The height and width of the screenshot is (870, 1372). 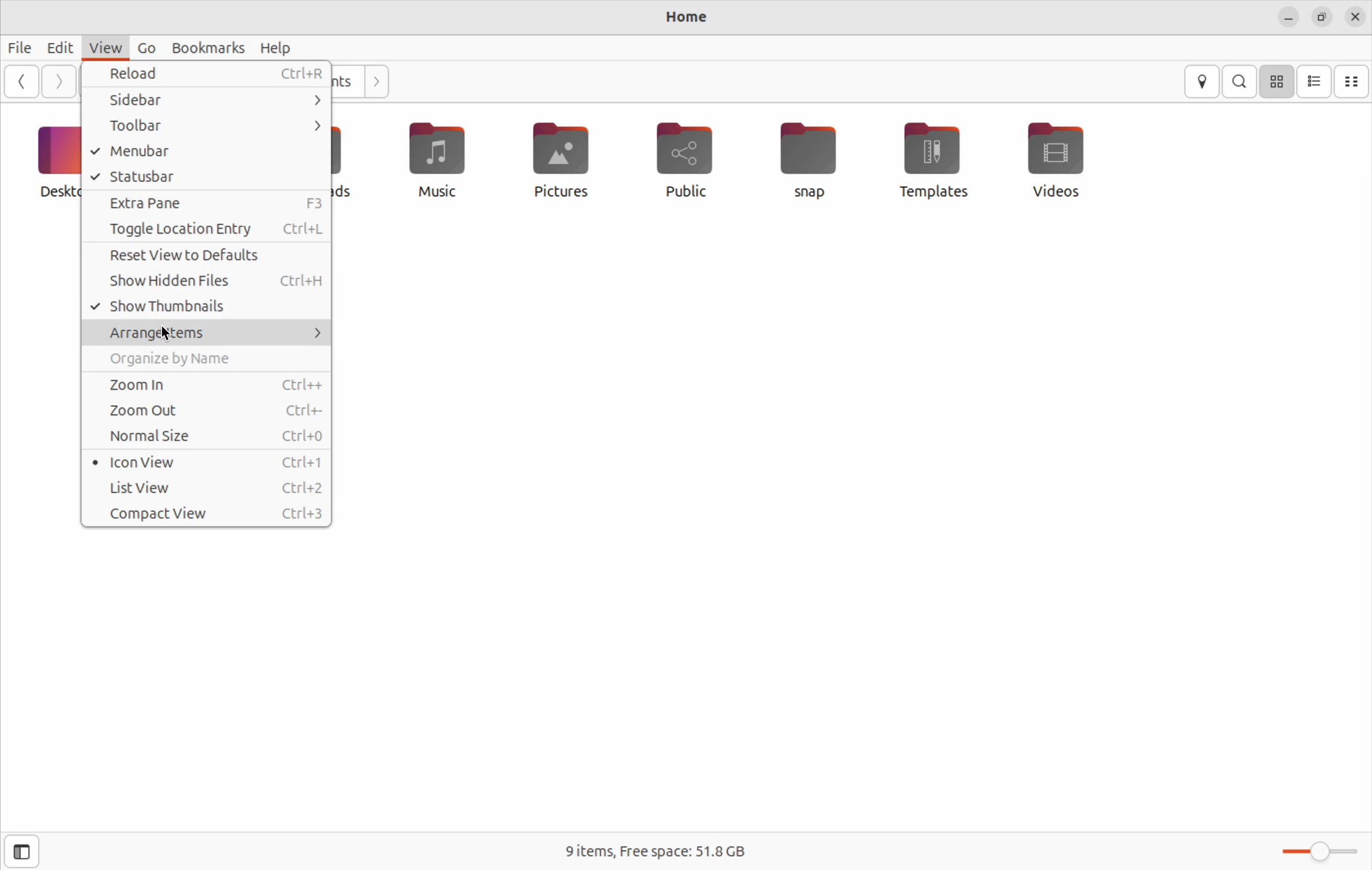 What do you see at coordinates (565, 158) in the screenshot?
I see `pictures` at bounding box center [565, 158].